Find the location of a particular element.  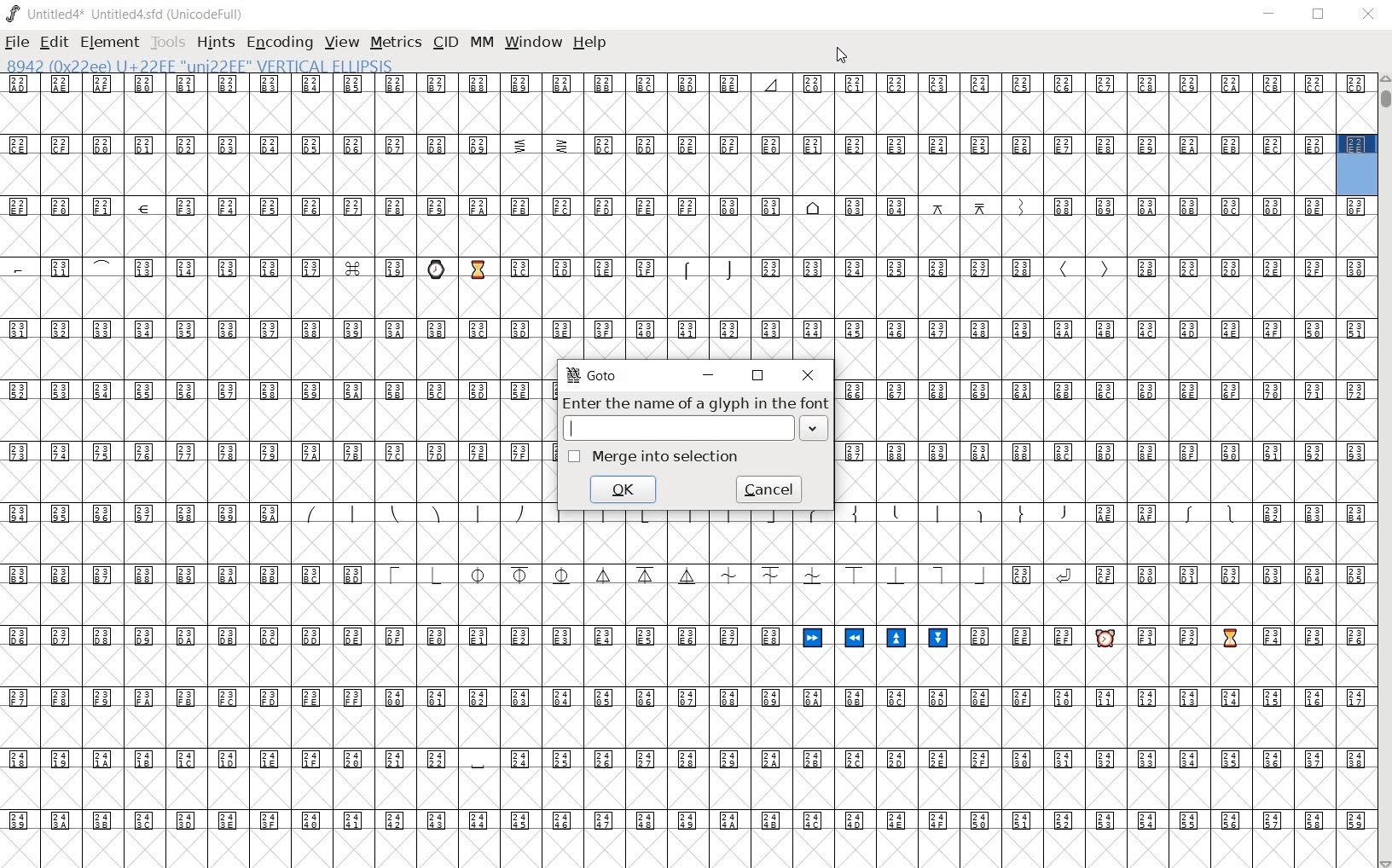

EDIT is located at coordinates (52, 42).